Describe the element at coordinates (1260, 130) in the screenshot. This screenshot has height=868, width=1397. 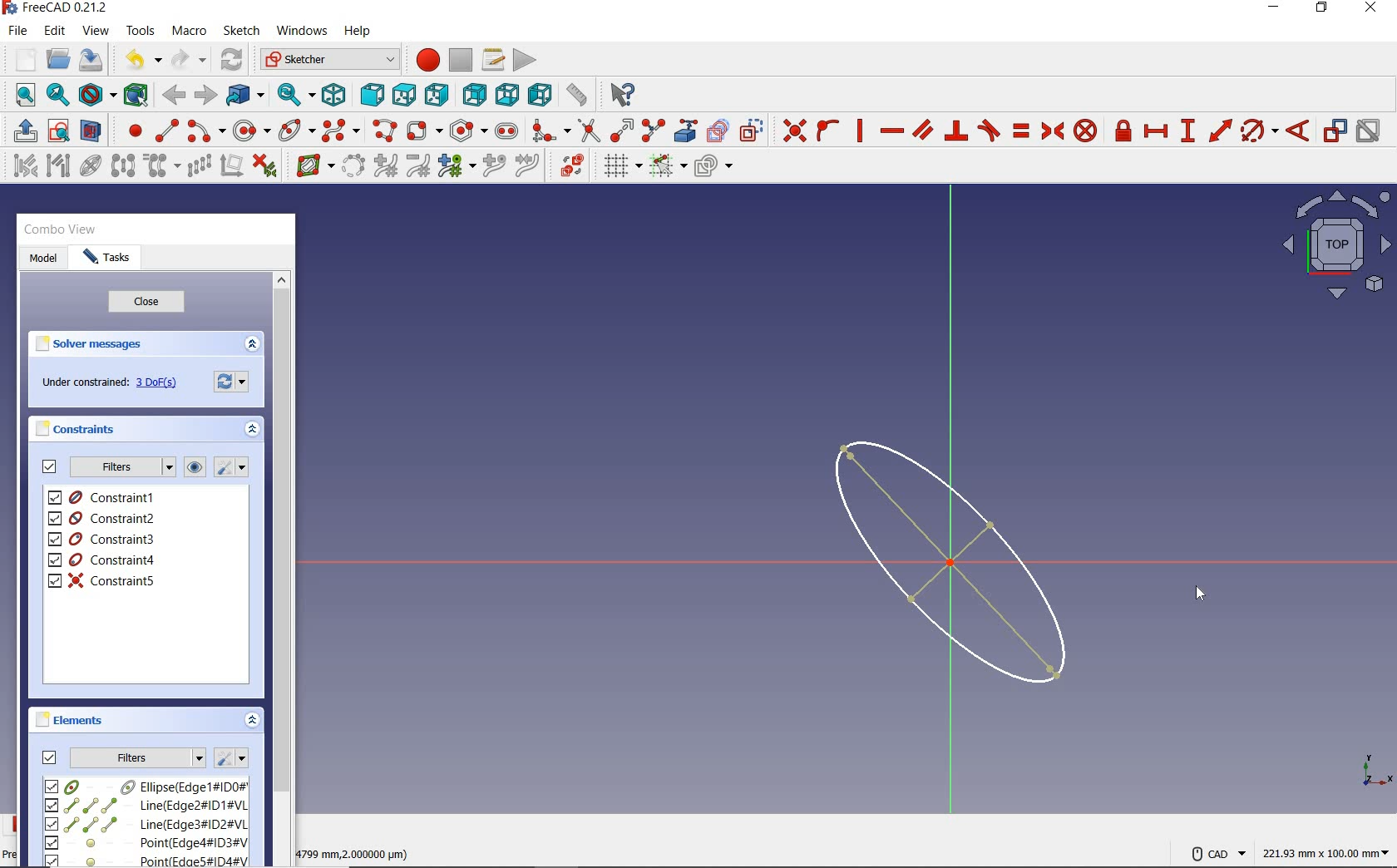
I see `constrain ar/circle` at that location.